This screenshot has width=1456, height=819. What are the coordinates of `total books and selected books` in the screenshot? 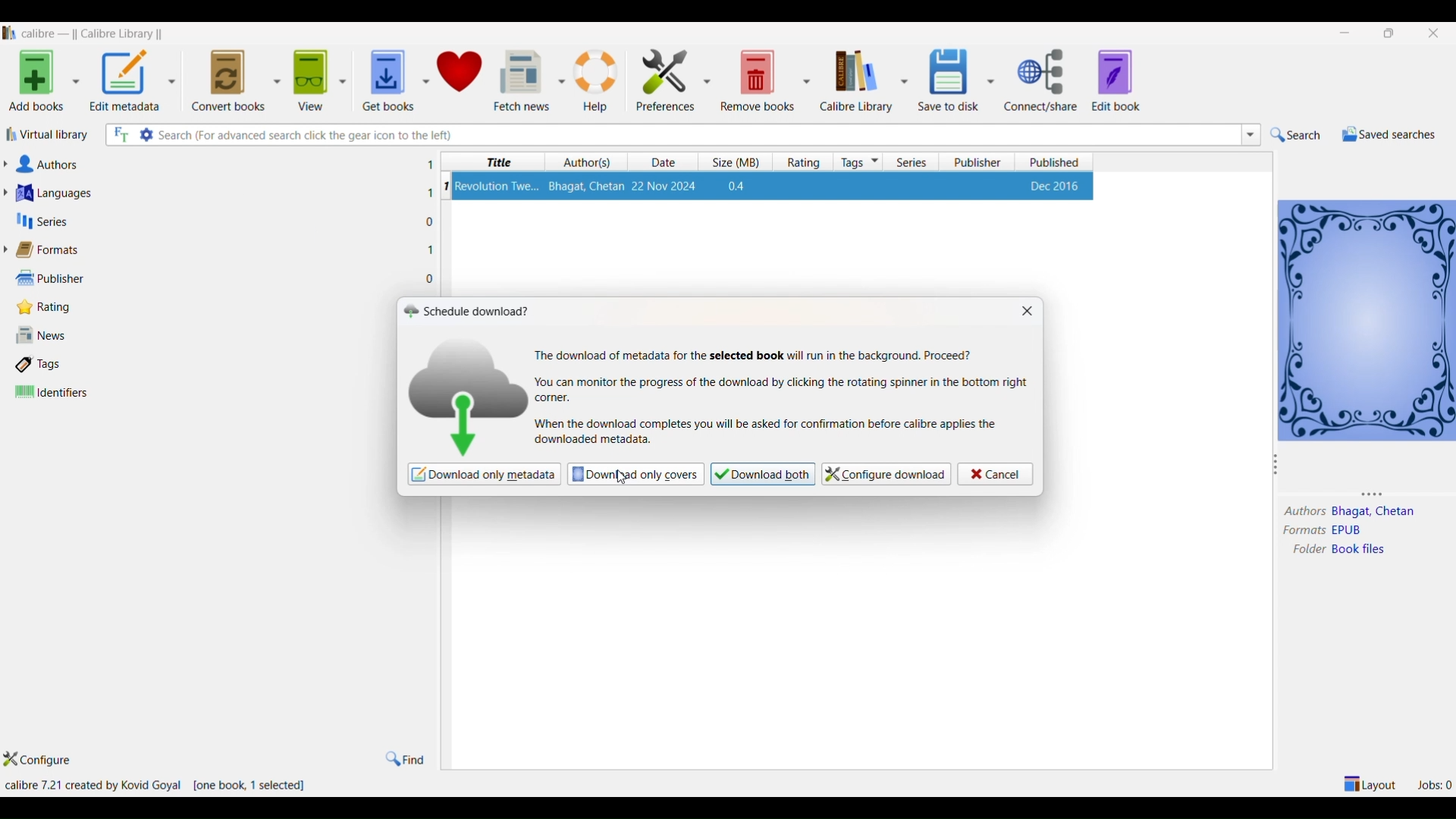 It's located at (257, 786).